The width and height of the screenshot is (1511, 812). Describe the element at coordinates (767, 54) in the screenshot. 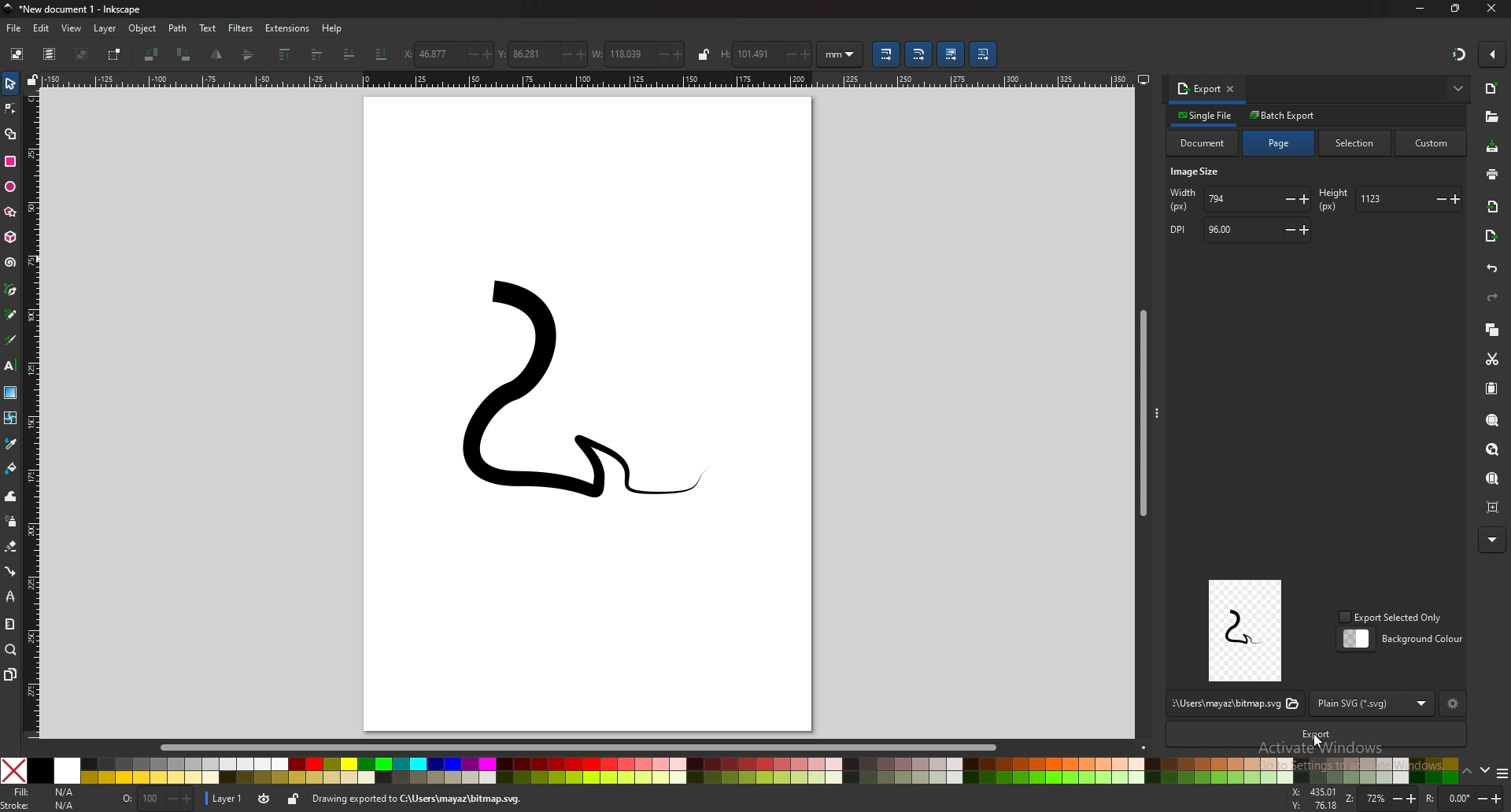

I see `height` at that location.